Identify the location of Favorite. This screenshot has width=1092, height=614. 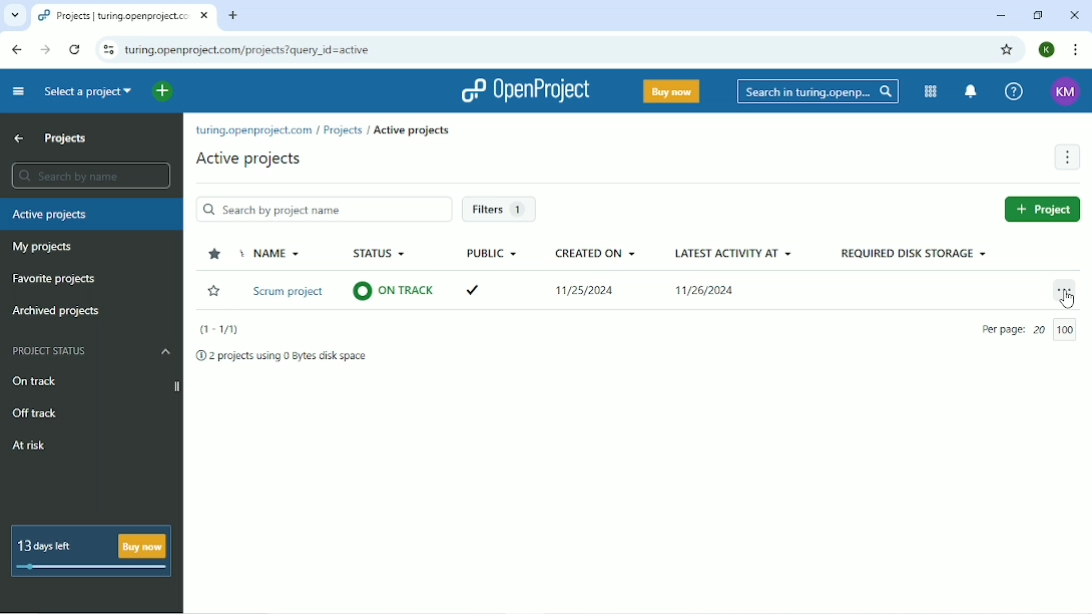
(214, 291).